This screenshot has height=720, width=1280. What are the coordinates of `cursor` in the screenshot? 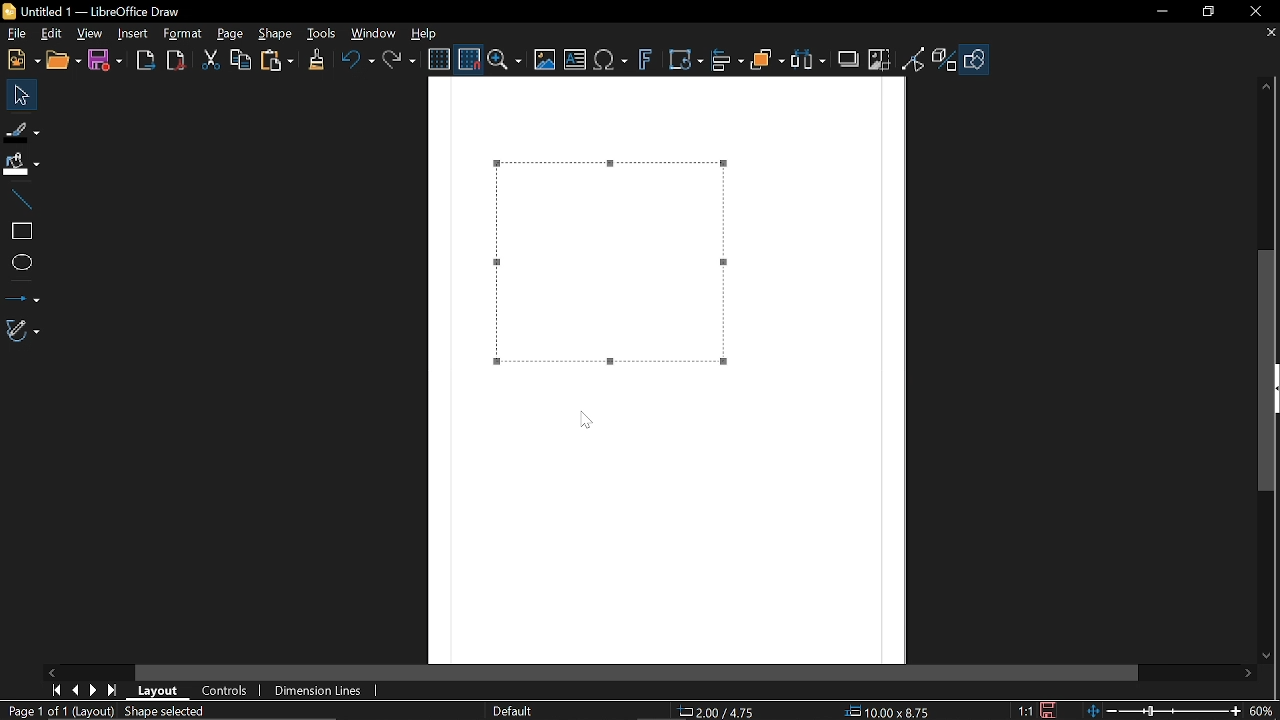 It's located at (582, 422).